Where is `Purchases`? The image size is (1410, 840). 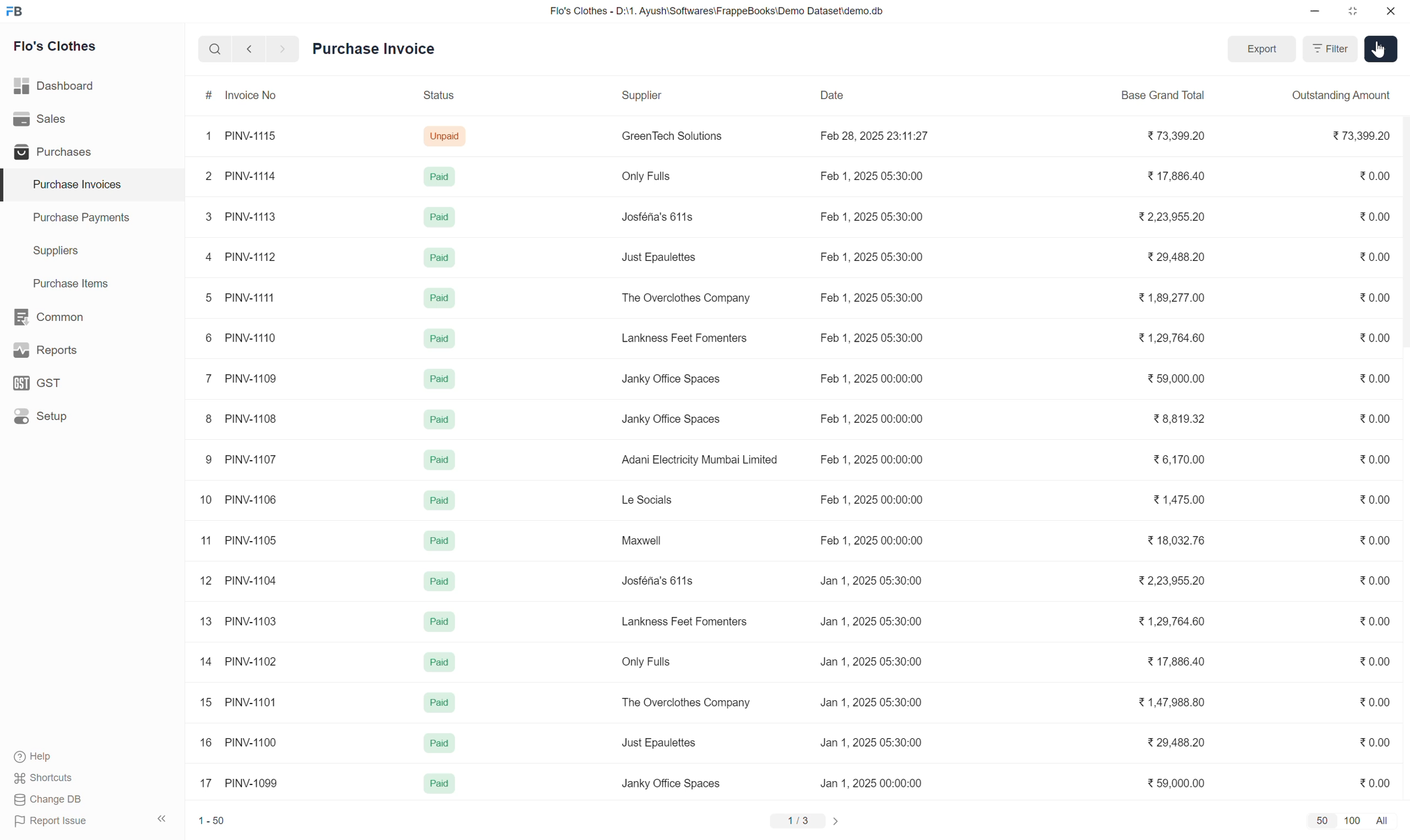
Purchases is located at coordinates (50, 152).